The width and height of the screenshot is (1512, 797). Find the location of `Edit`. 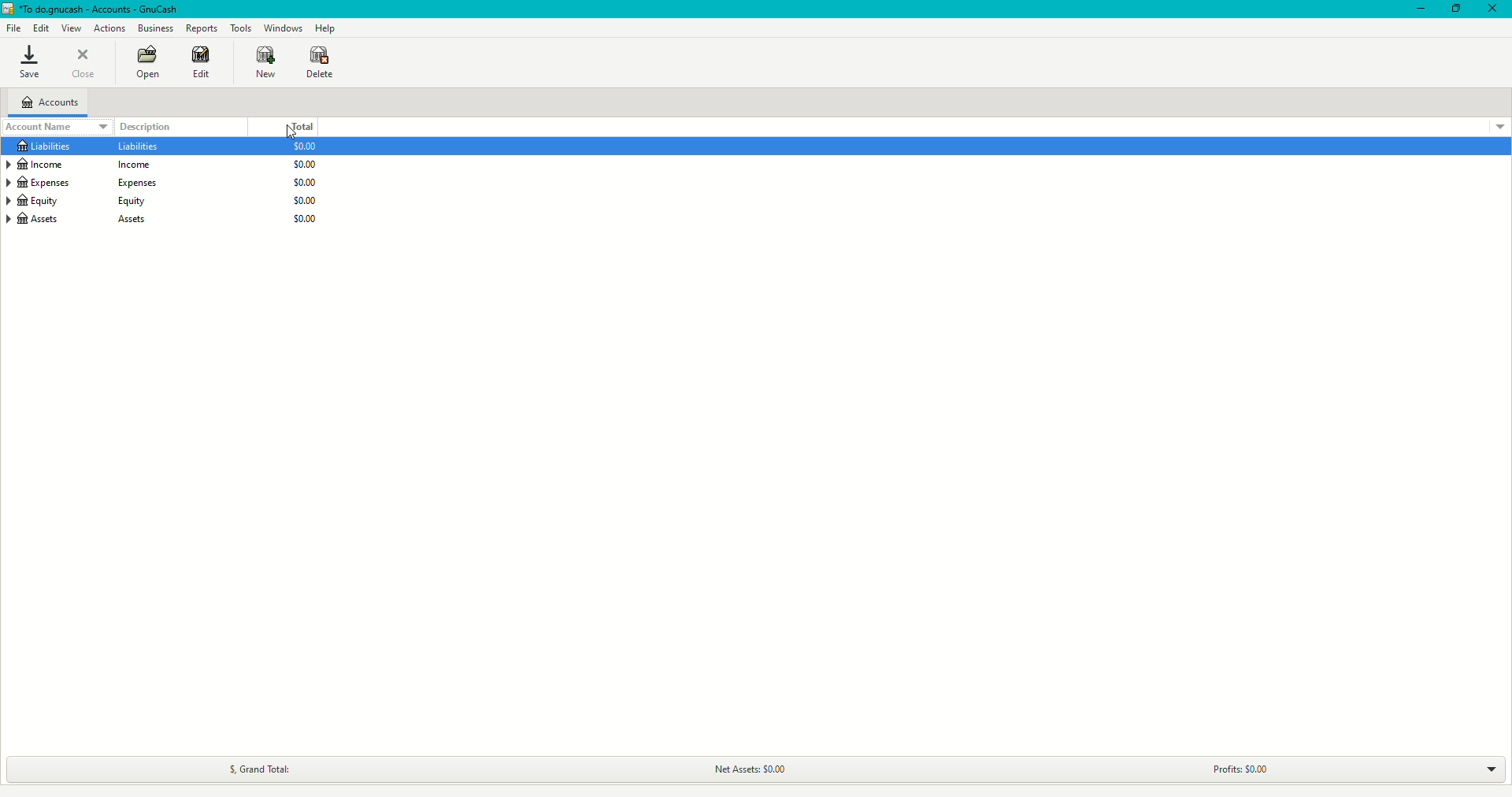

Edit is located at coordinates (202, 65).